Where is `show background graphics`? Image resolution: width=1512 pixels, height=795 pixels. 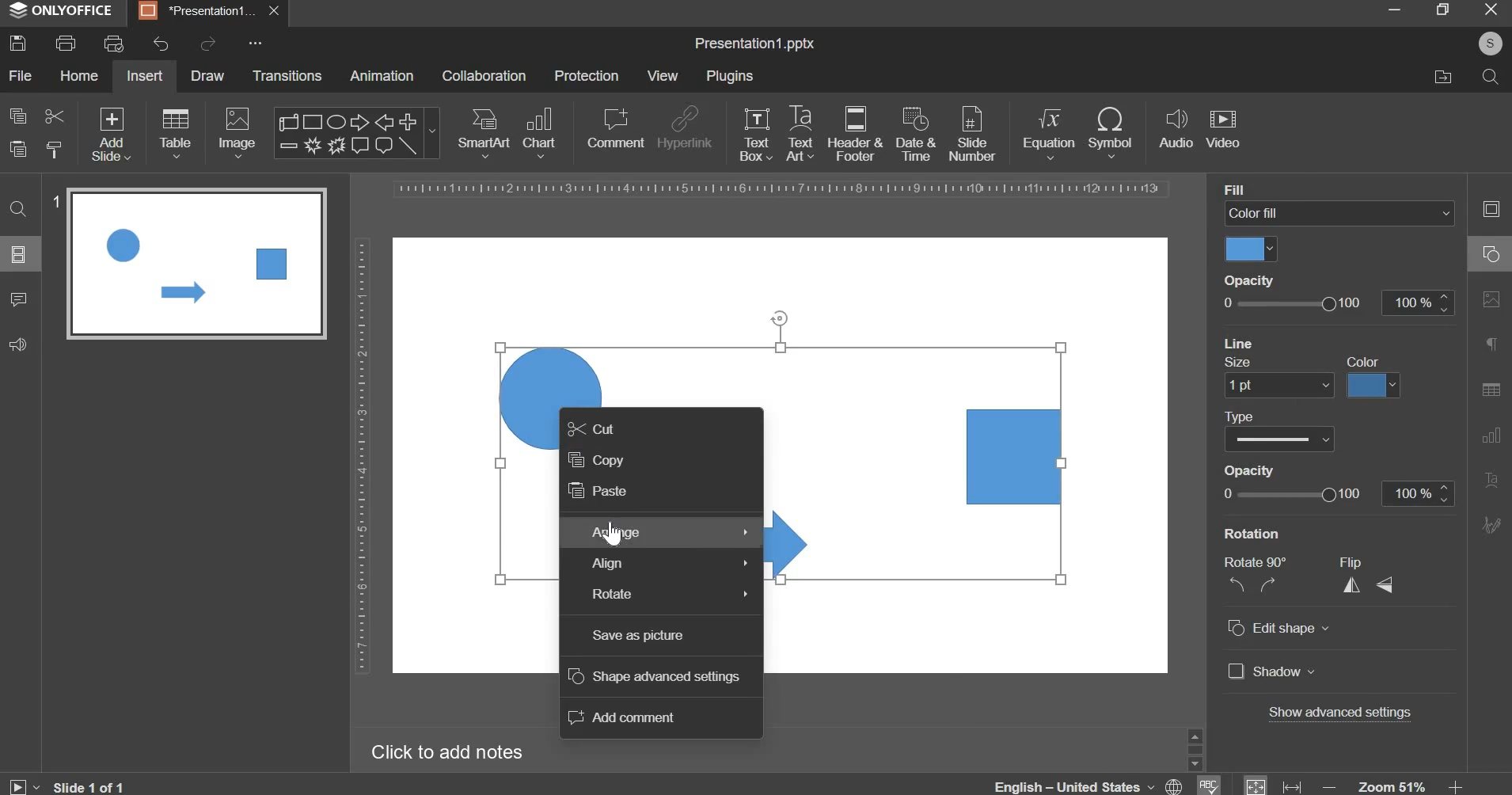 show background graphics is located at coordinates (1320, 340).